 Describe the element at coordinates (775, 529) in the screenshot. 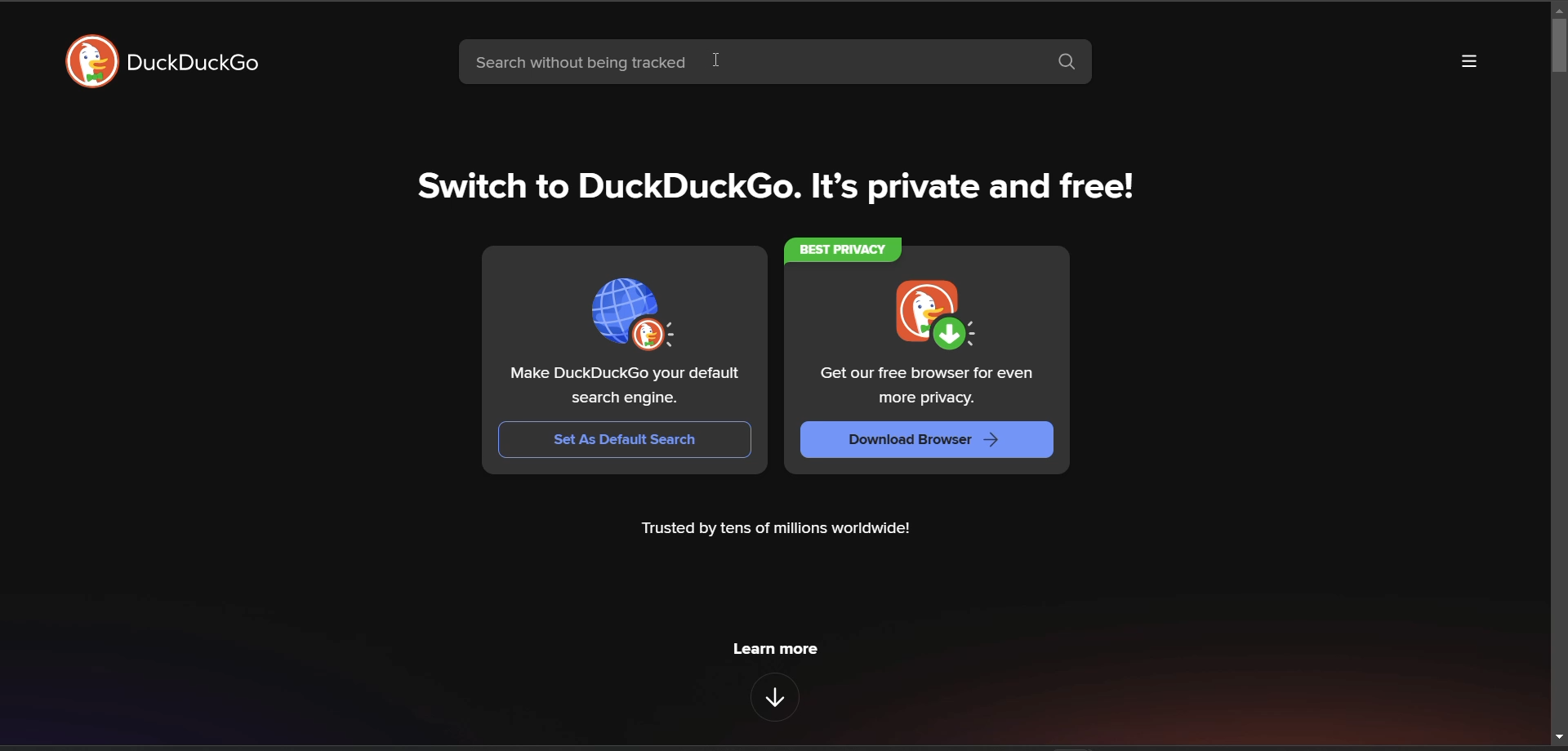

I see `Trusted by tens of millions worldwide!` at that location.